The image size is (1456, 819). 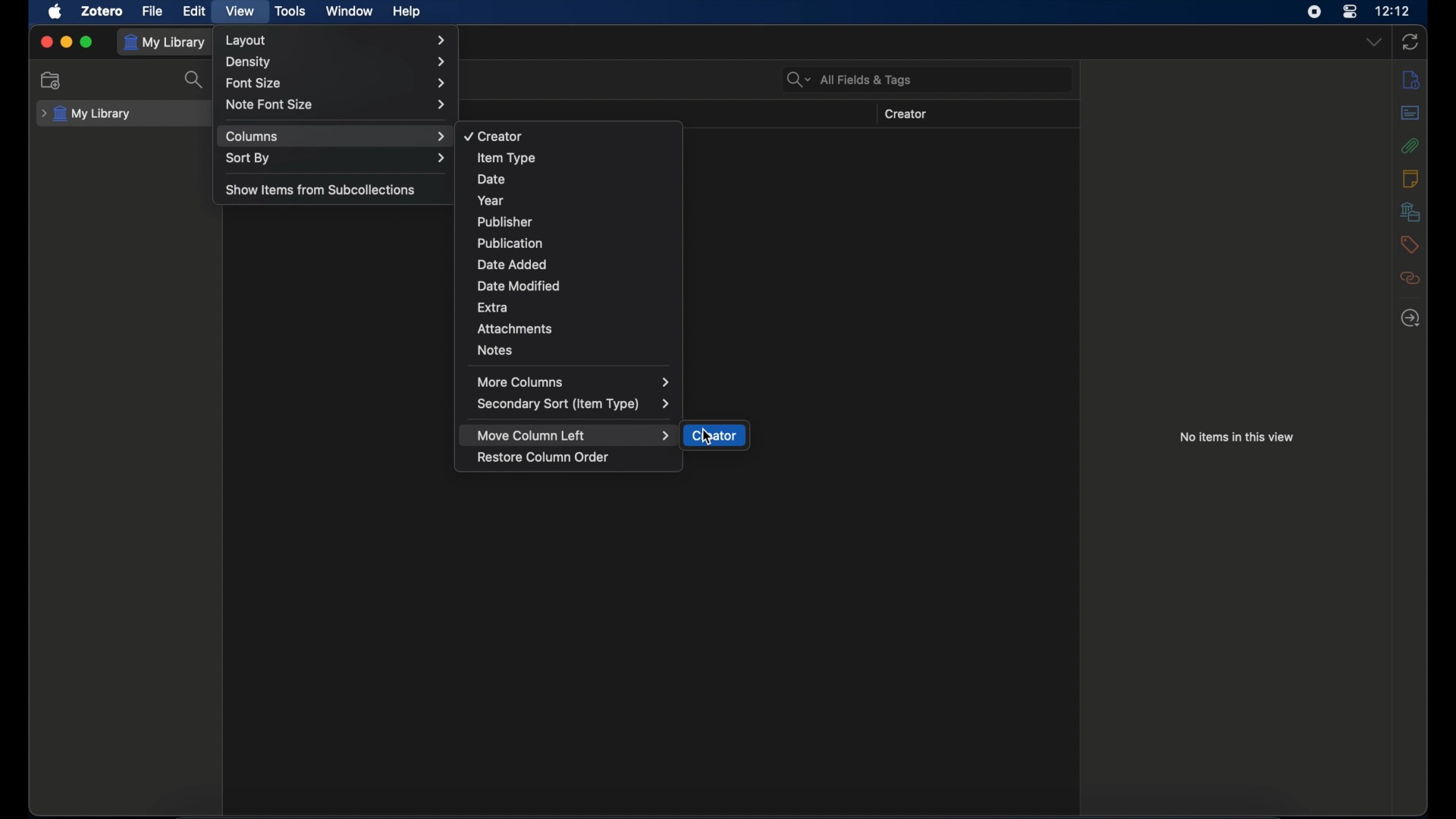 I want to click on new collection, so click(x=51, y=80).